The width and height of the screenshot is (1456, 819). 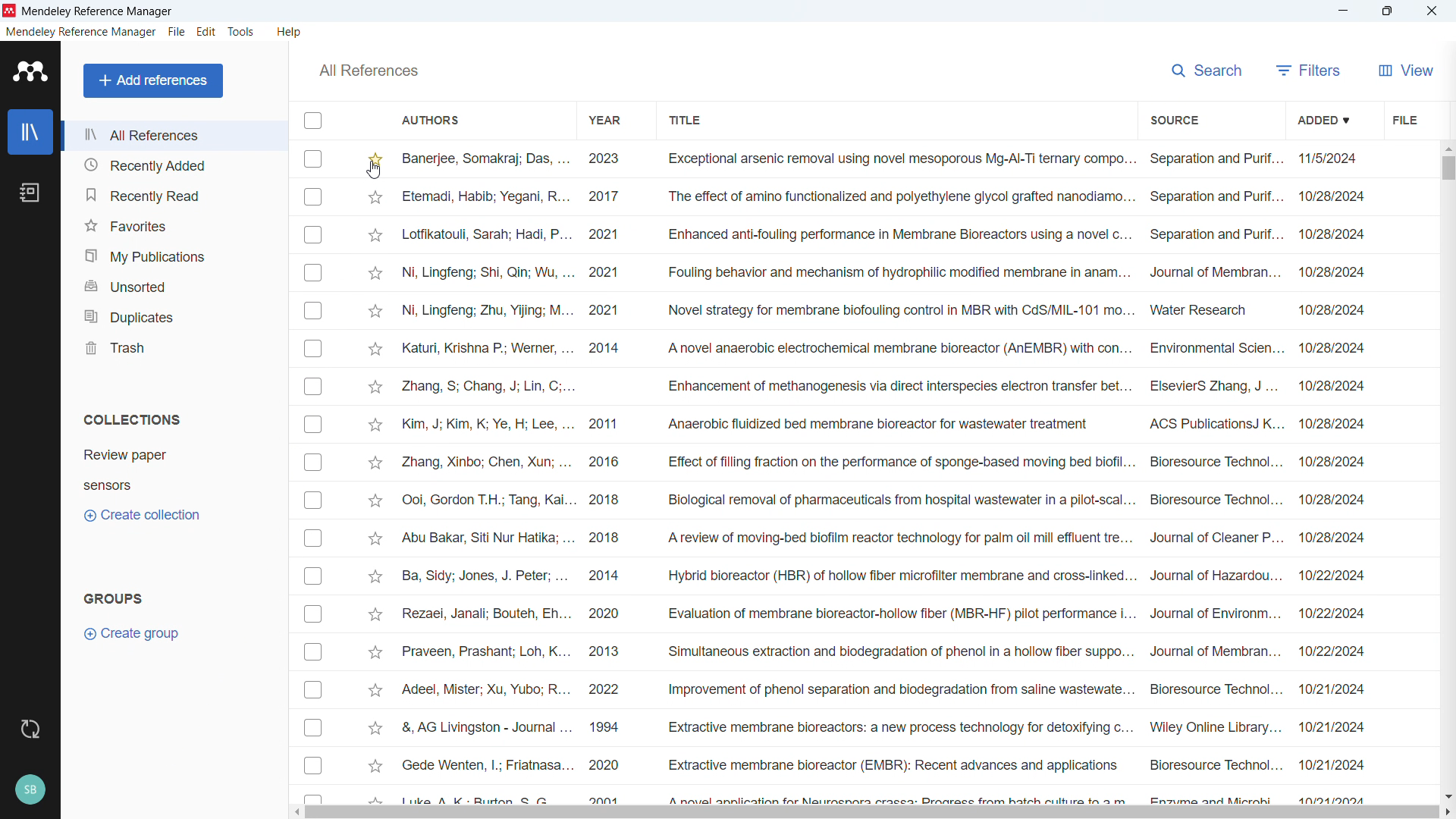 I want to click on Date of entry for individual entries , so click(x=1333, y=475).